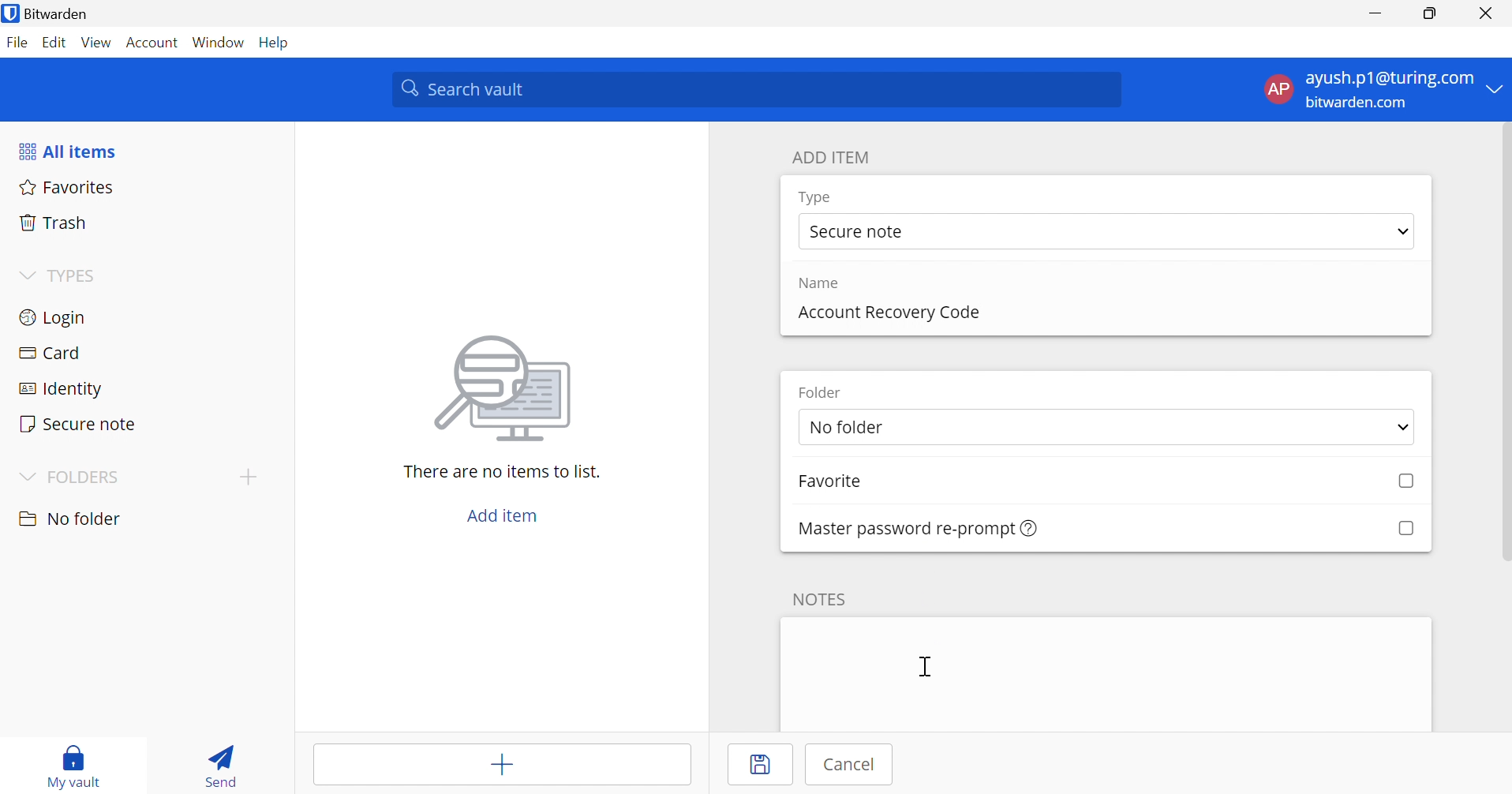 This screenshot has height=794, width=1512. Describe the element at coordinates (1356, 103) in the screenshot. I see `bitwarden.com` at that location.